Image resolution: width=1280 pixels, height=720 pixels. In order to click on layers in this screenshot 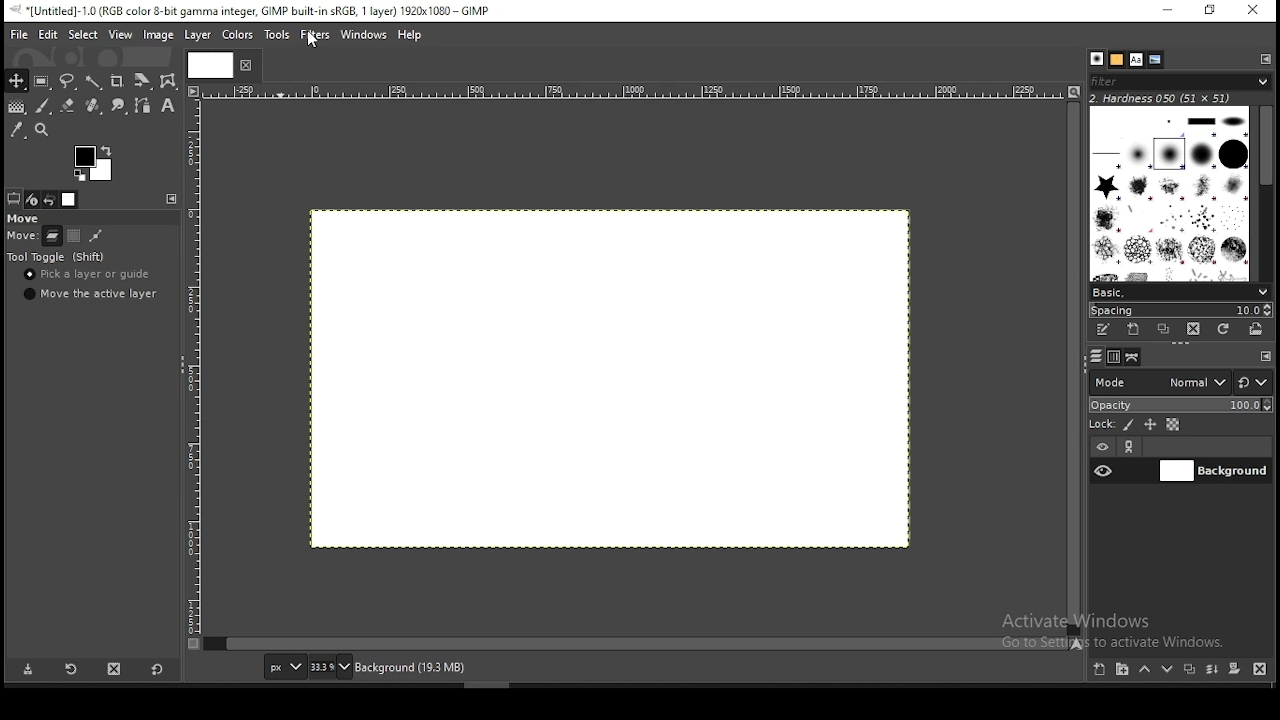, I will do `click(1097, 355)`.